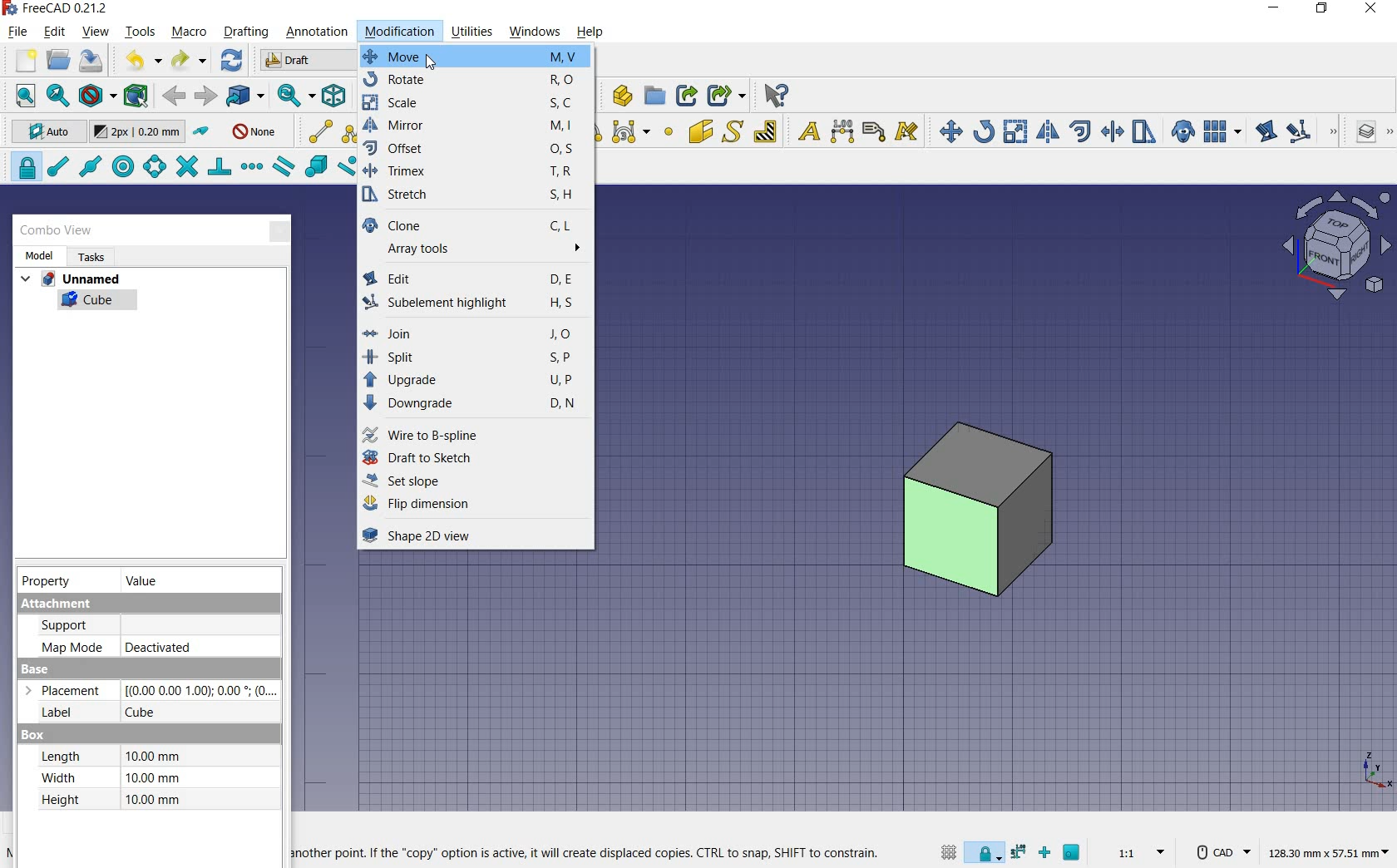  I want to click on cube, so click(96, 303).